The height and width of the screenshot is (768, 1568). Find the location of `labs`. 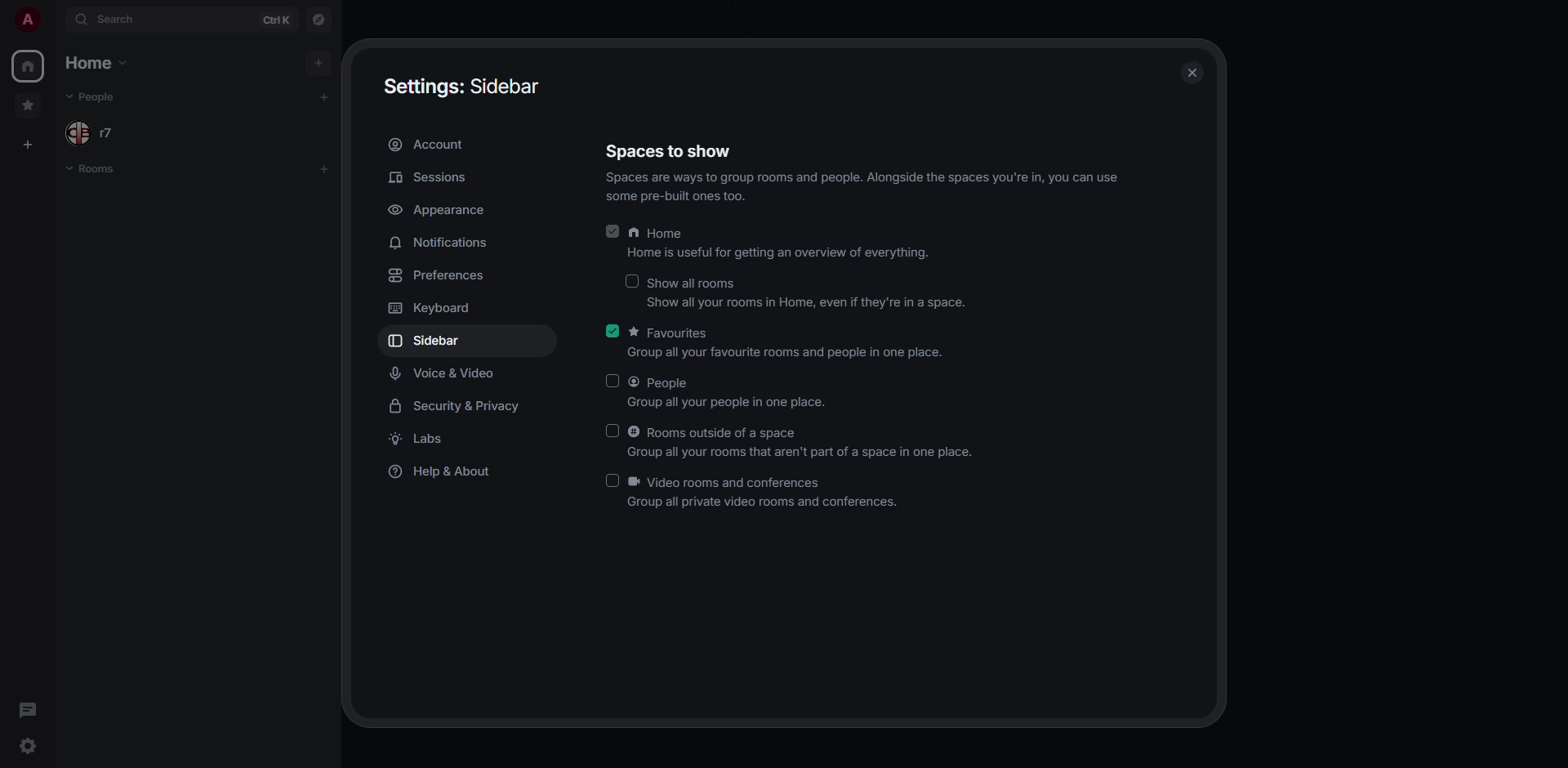

labs is located at coordinates (422, 441).